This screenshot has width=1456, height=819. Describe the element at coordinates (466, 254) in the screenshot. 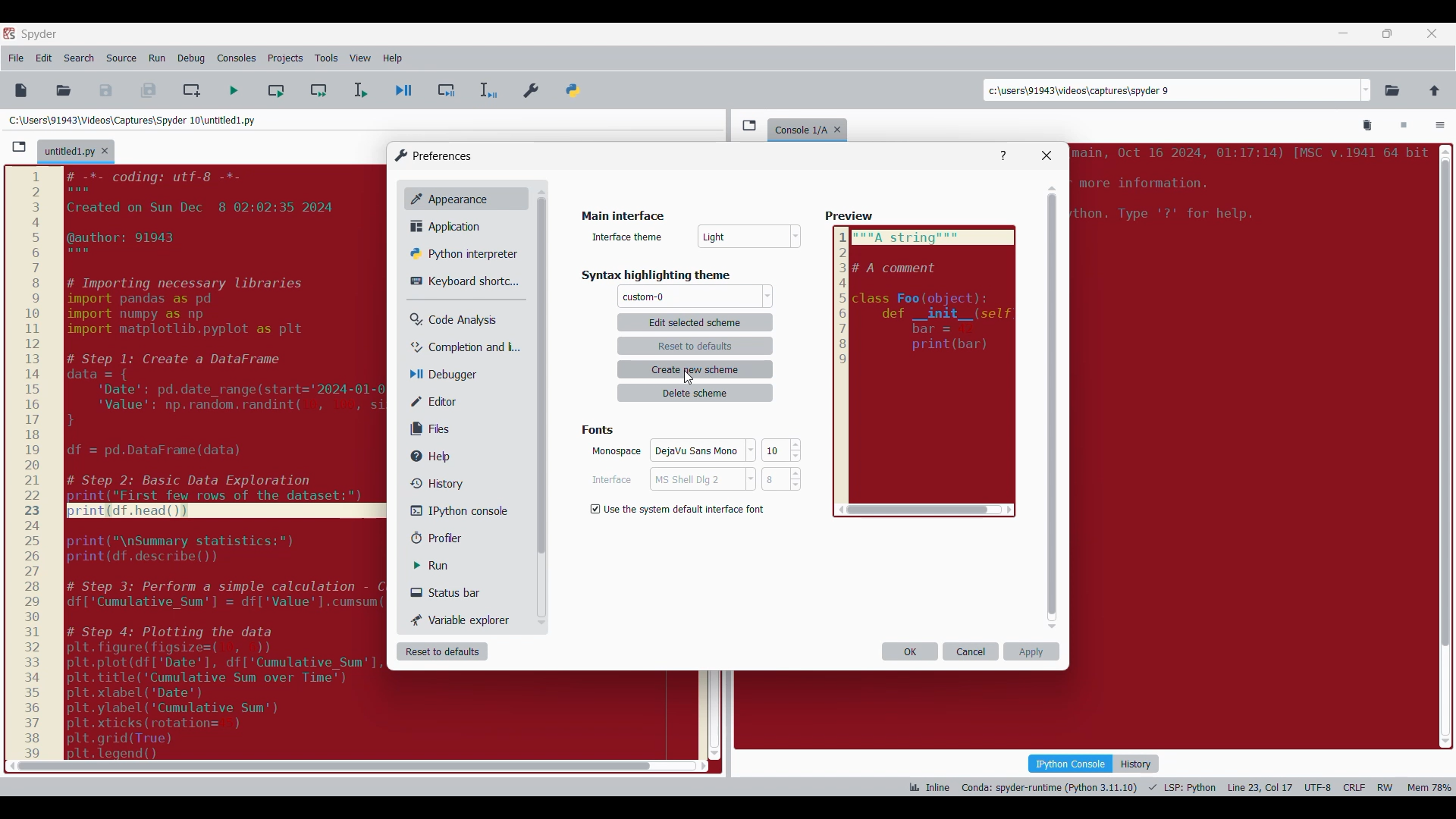

I see `Python interpreter` at that location.